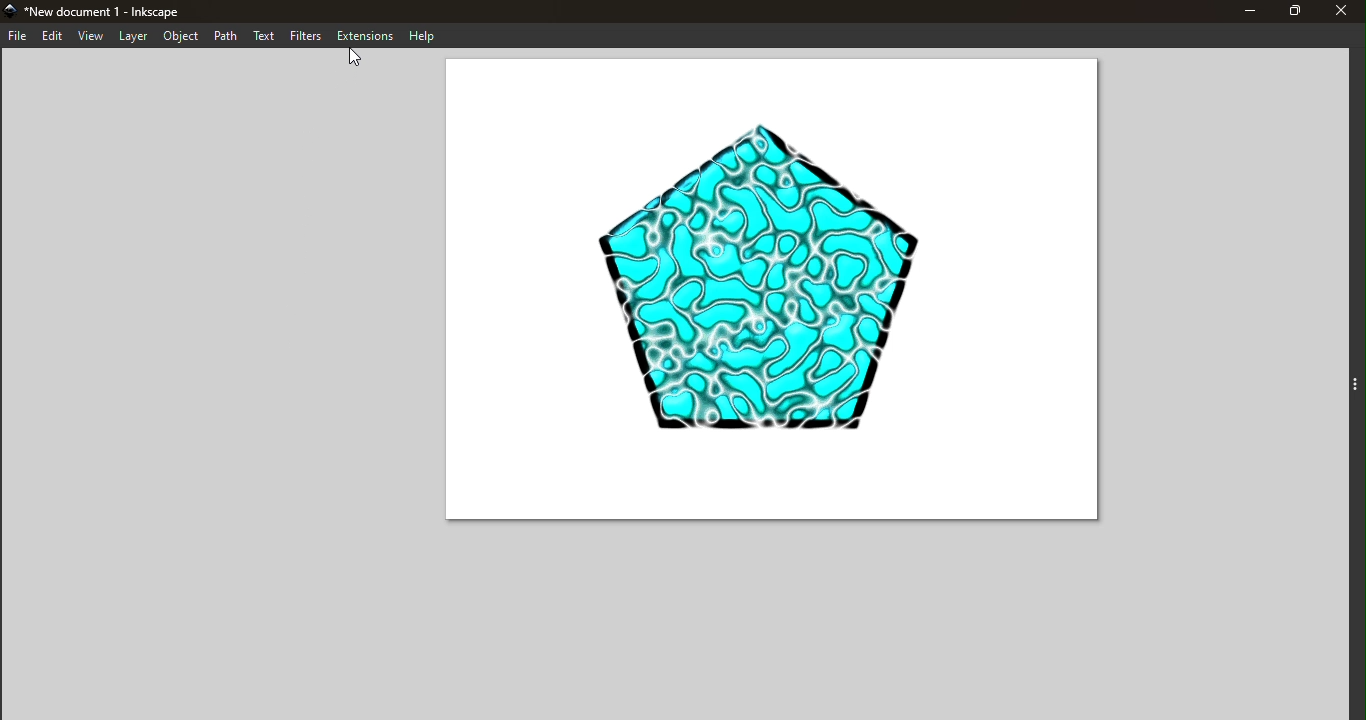 This screenshot has width=1366, height=720. What do you see at coordinates (9, 10) in the screenshot?
I see `app Icon` at bounding box center [9, 10].